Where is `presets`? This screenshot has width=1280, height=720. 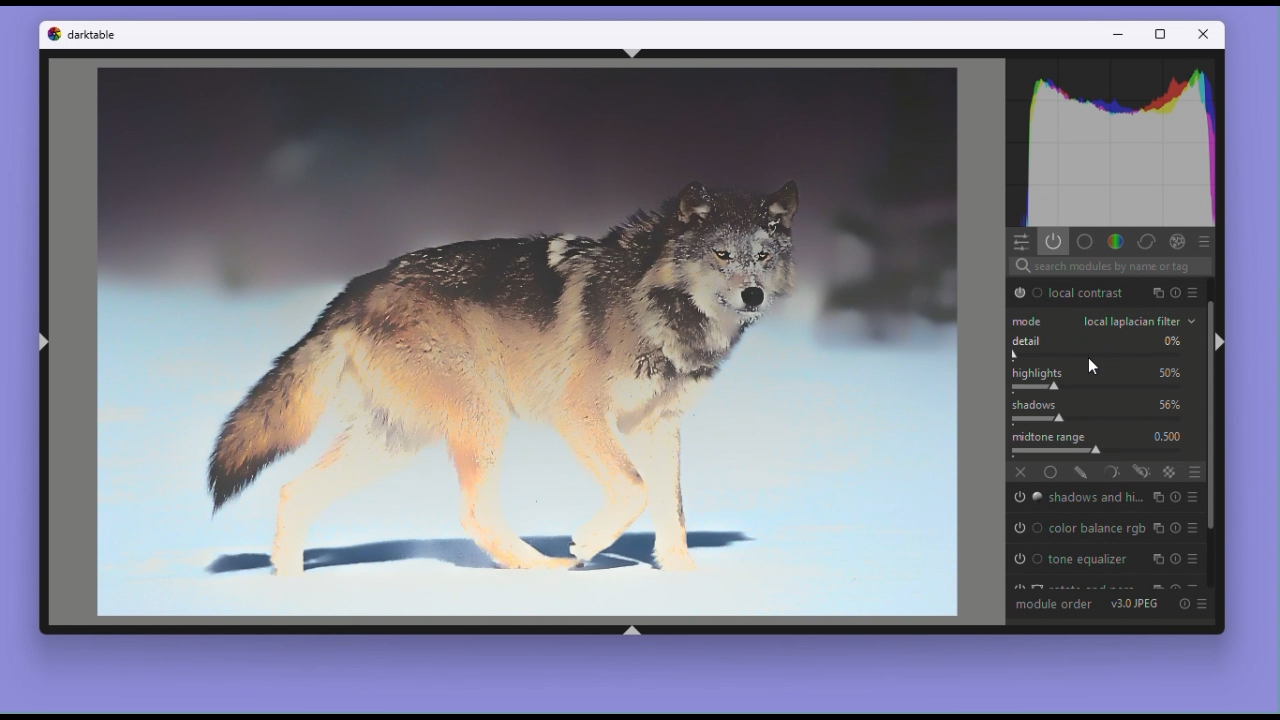
presets is located at coordinates (1196, 497).